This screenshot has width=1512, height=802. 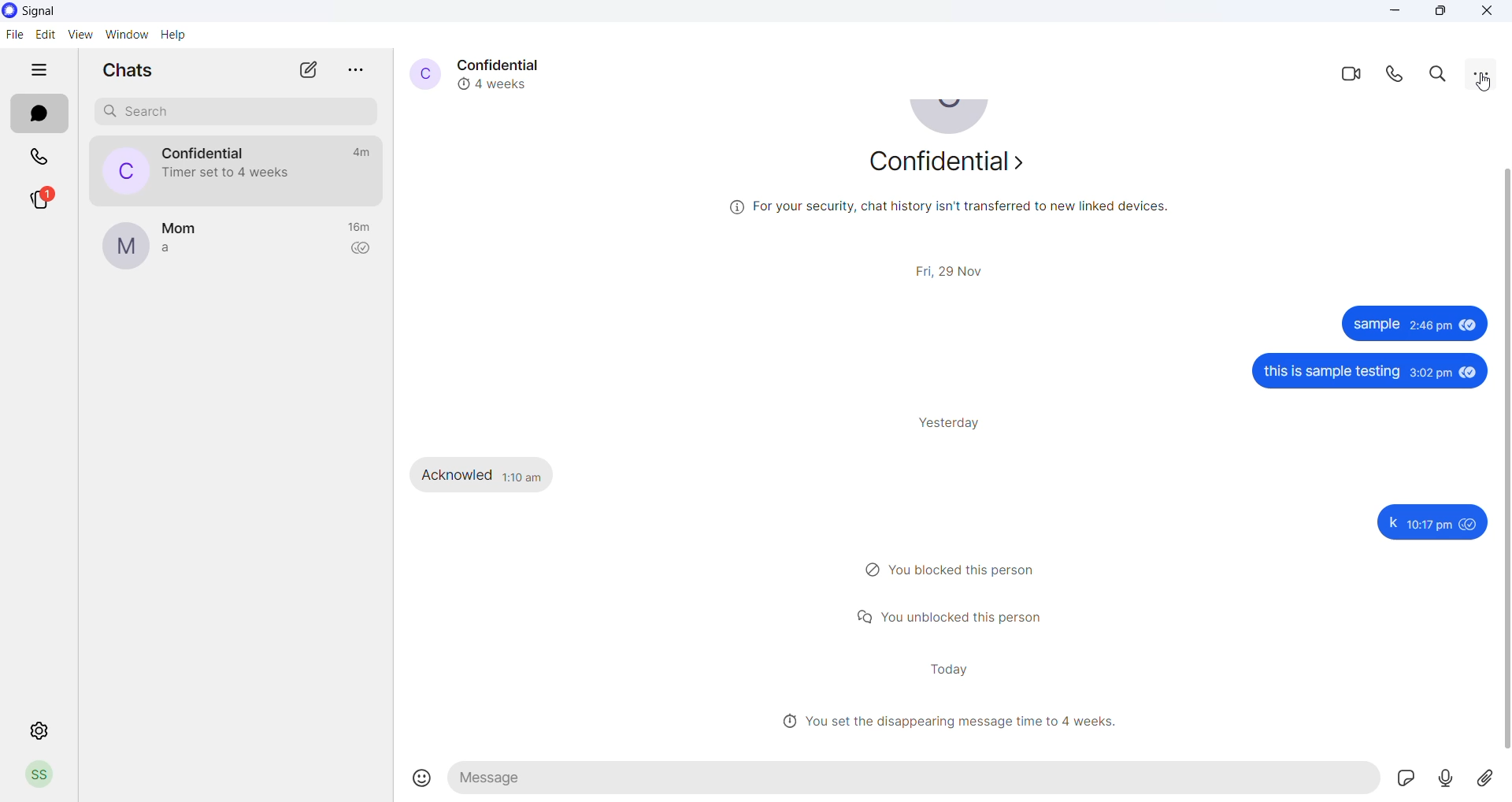 I want to click on disappearing message, so click(x=499, y=83).